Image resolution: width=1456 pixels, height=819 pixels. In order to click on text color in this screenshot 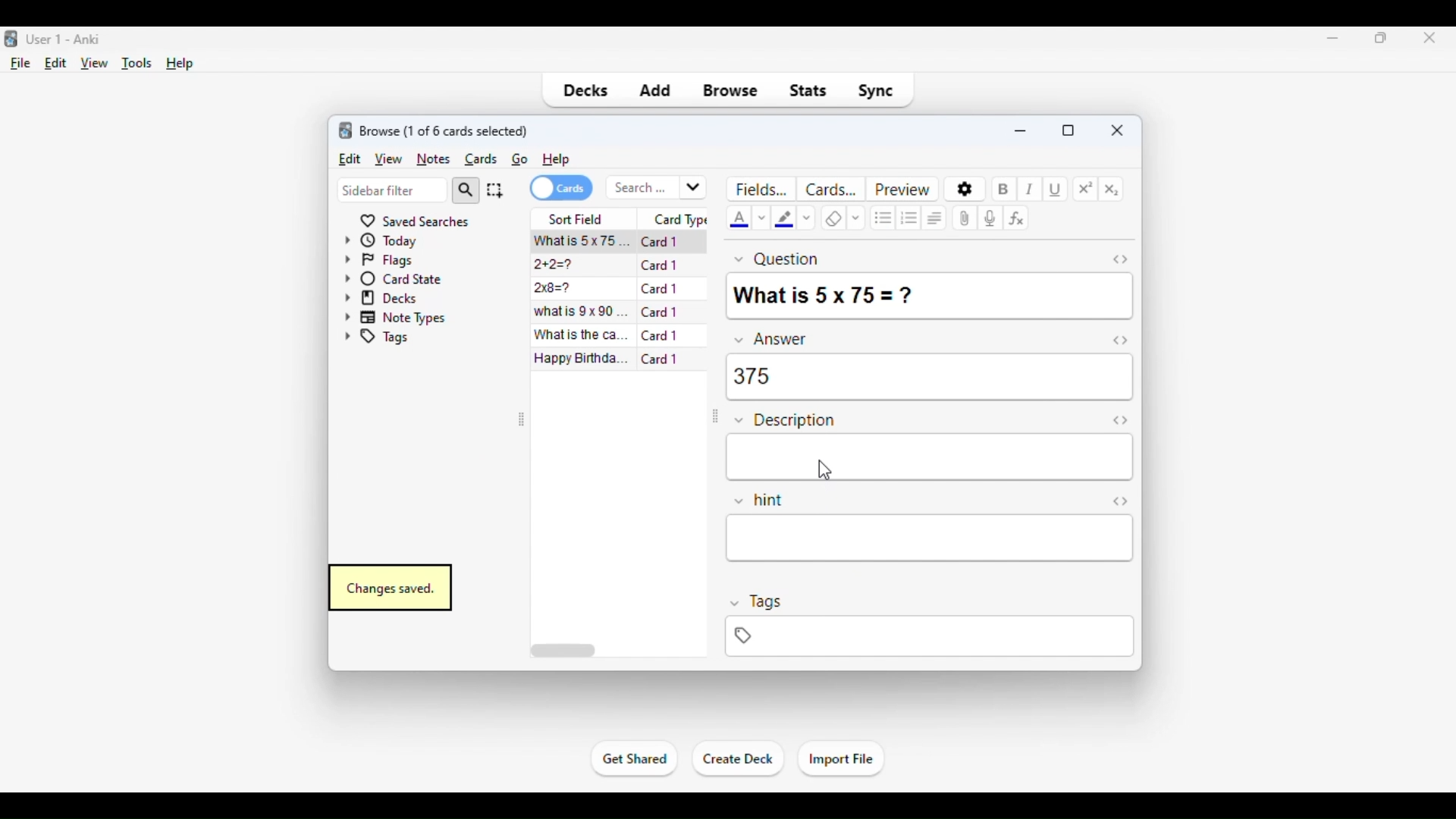, I will do `click(741, 219)`.